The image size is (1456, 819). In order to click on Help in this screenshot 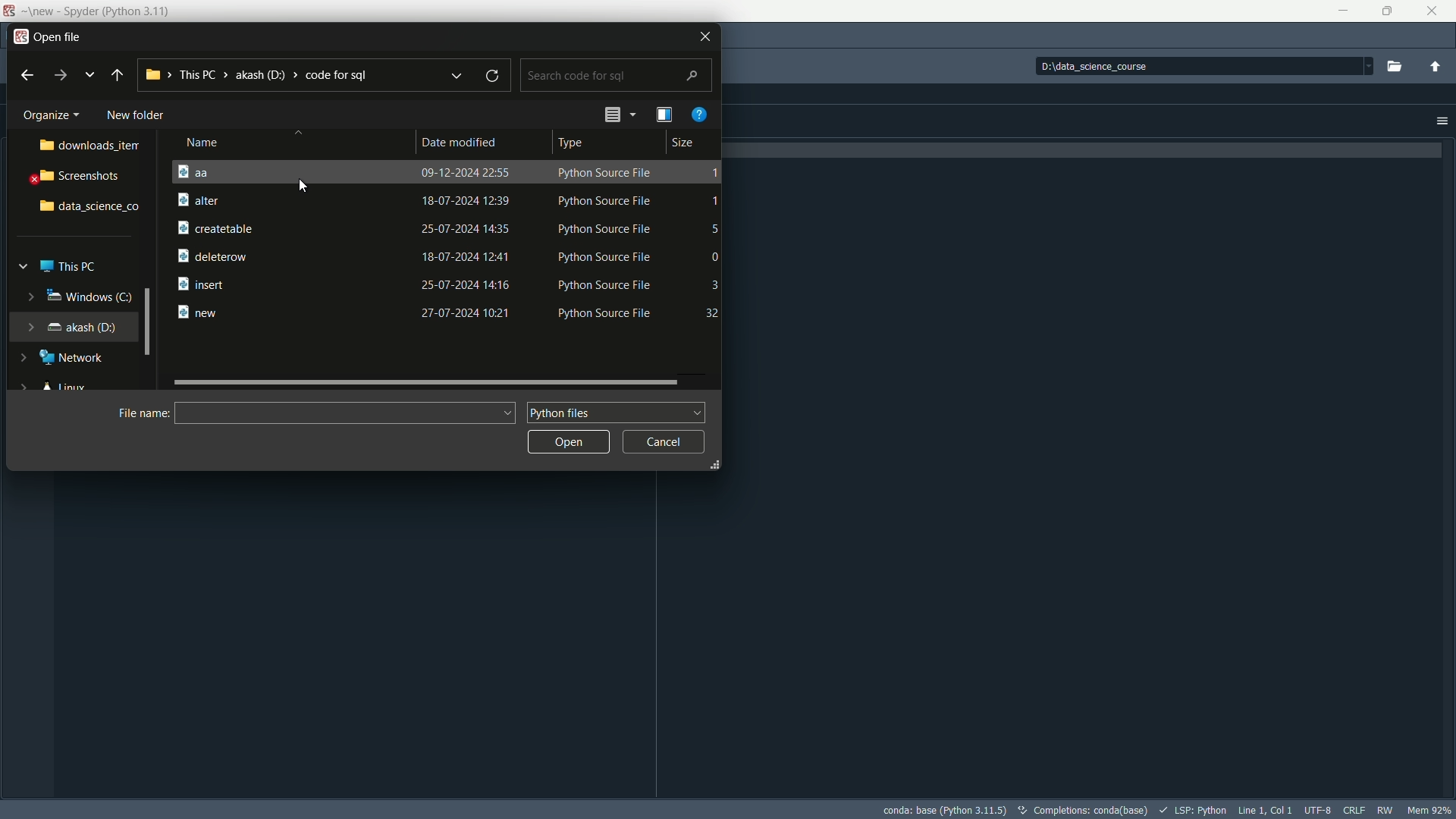, I will do `click(699, 115)`.